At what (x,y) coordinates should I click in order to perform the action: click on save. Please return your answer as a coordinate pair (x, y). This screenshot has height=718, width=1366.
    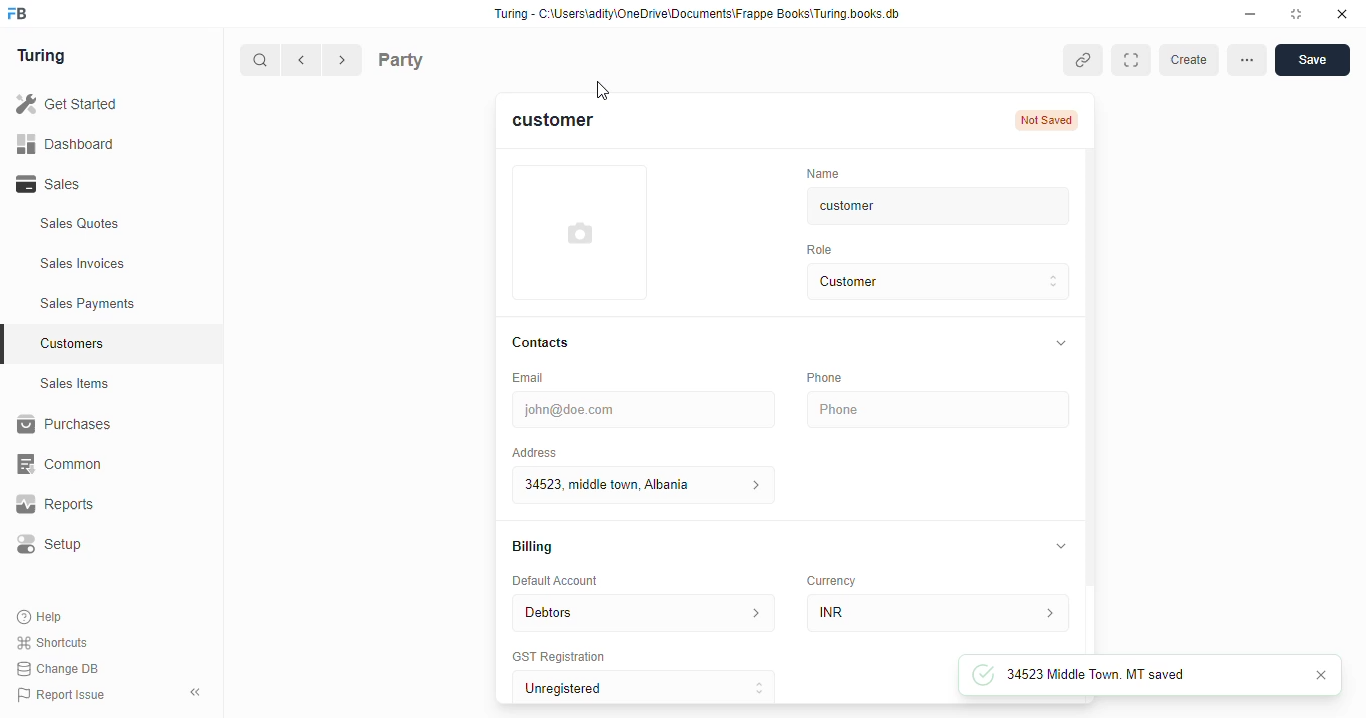
    Looking at the image, I should click on (1314, 59).